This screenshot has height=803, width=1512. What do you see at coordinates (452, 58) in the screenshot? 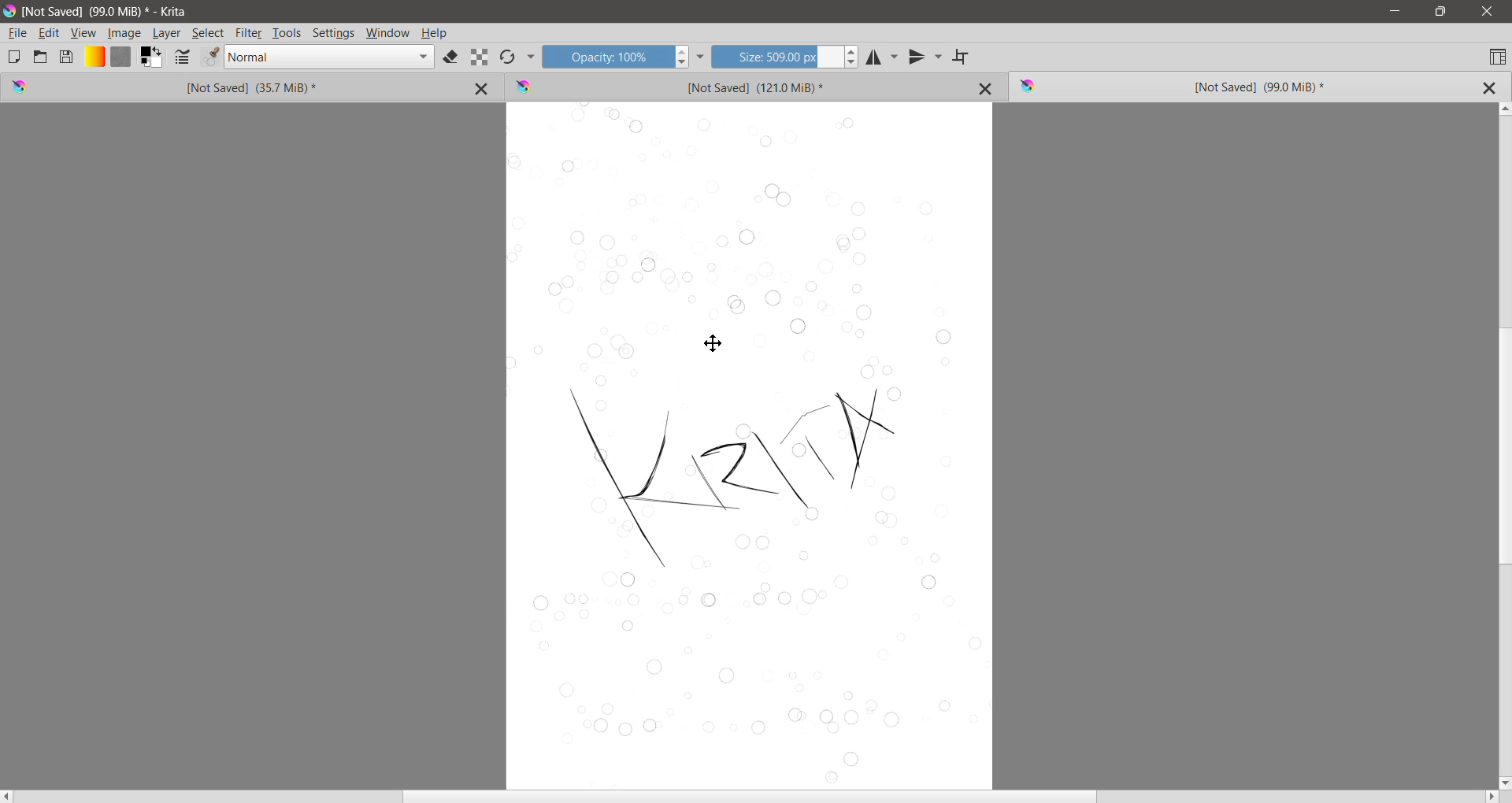
I see `Set eraser mode` at bounding box center [452, 58].